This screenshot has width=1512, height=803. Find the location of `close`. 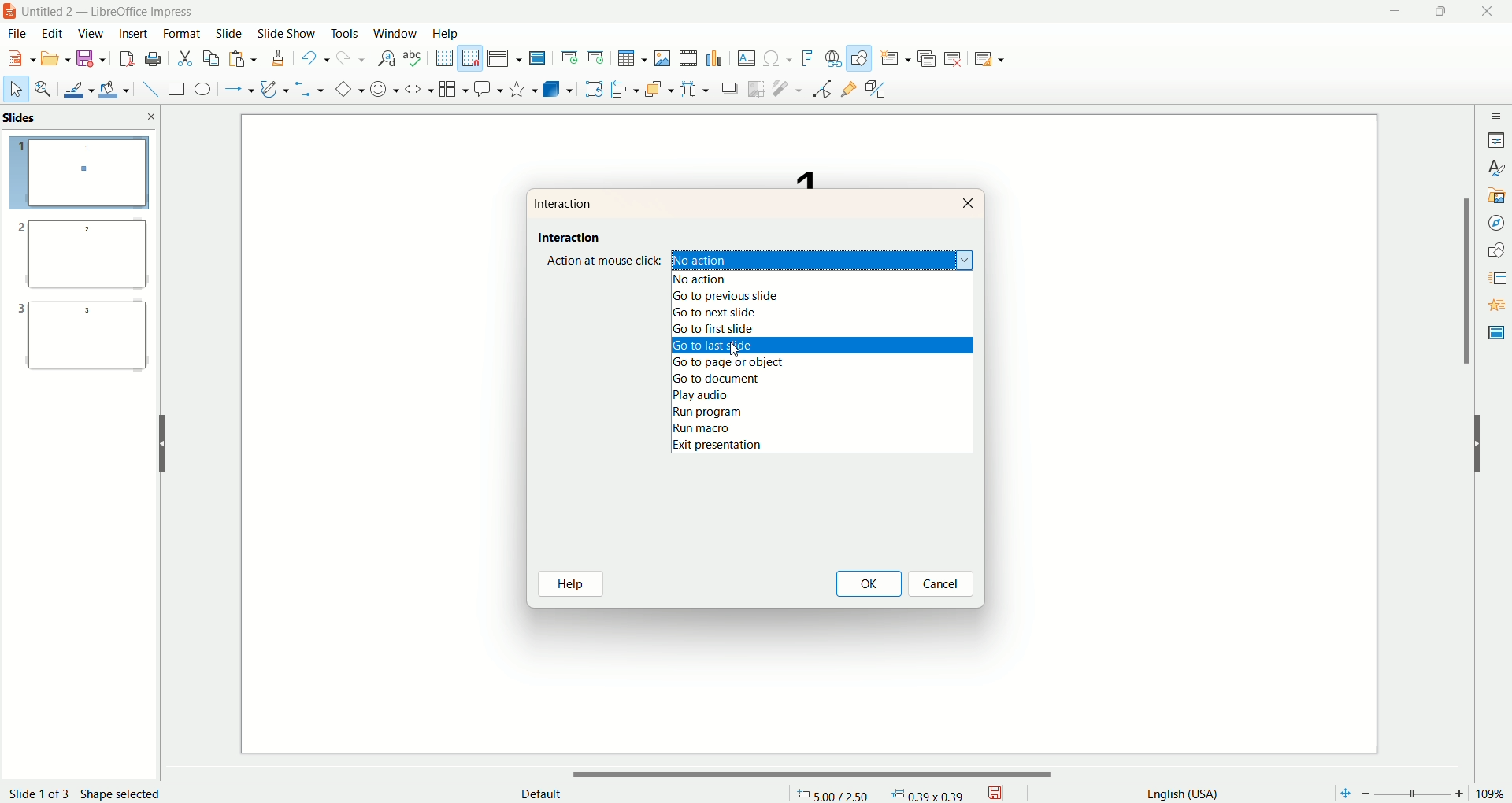

close is located at coordinates (1488, 13).